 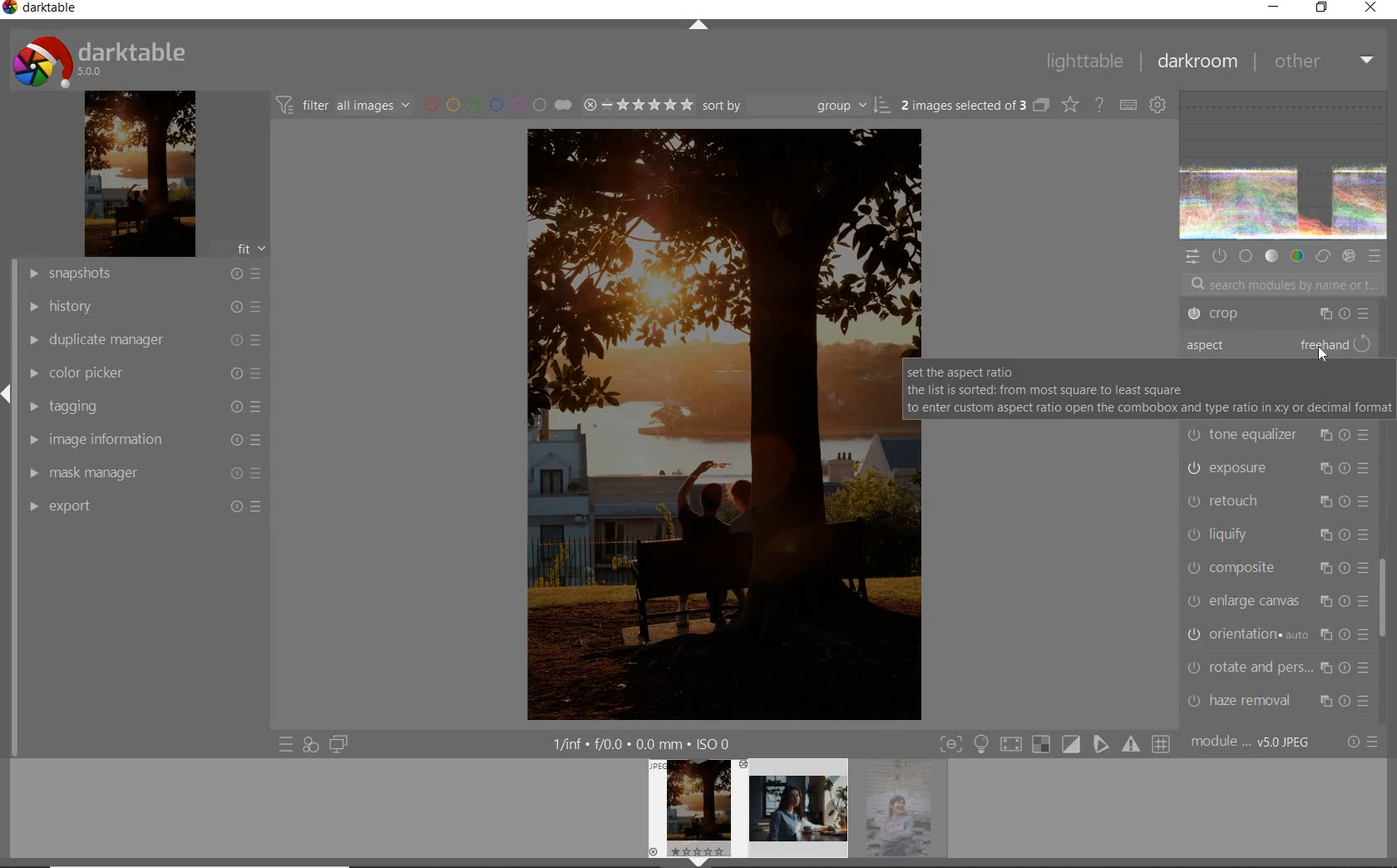 I want to click on close, so click(x=1370, y=8).